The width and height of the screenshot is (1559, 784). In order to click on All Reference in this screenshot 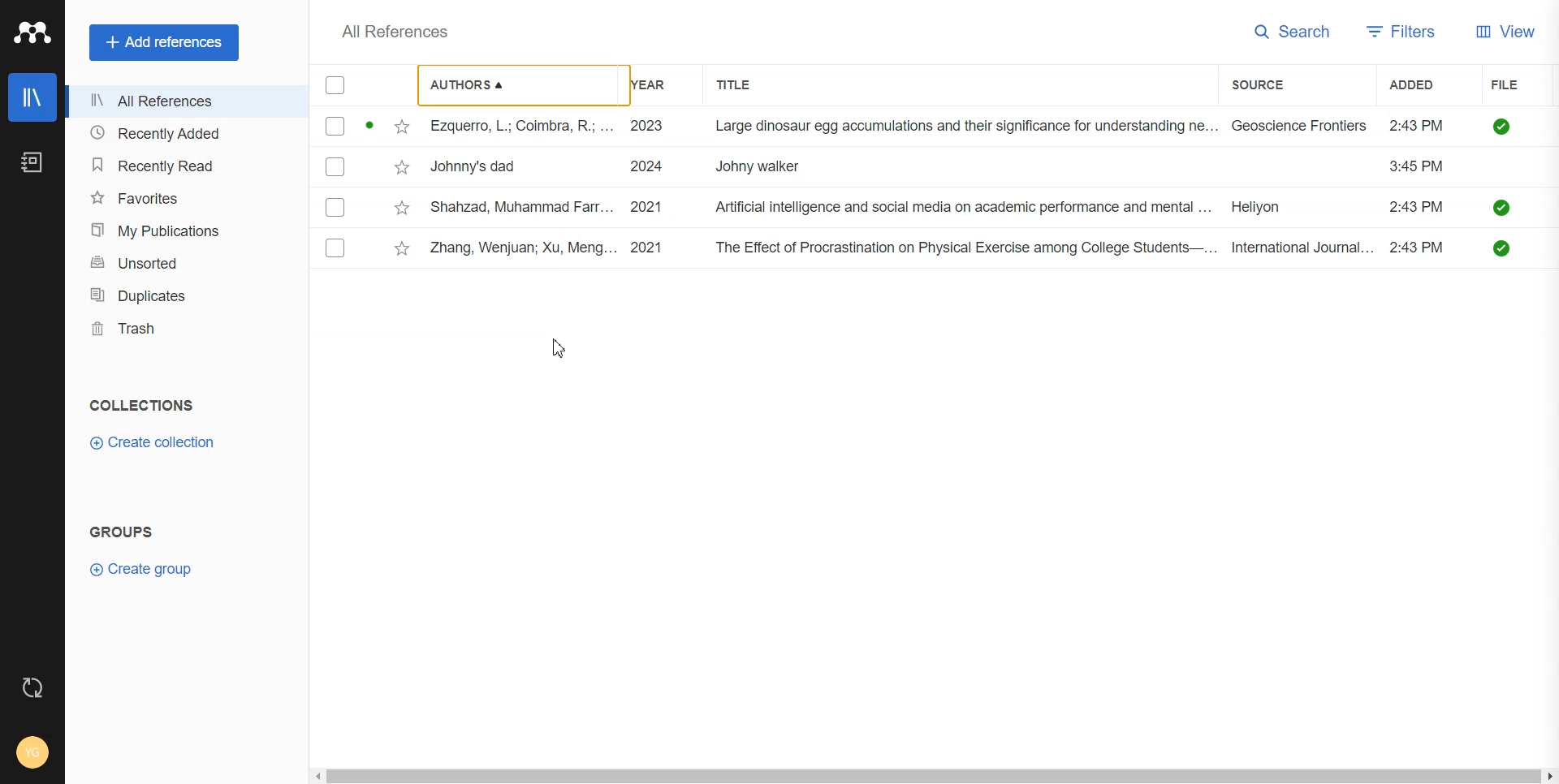, I will do `click(389, 31)`.